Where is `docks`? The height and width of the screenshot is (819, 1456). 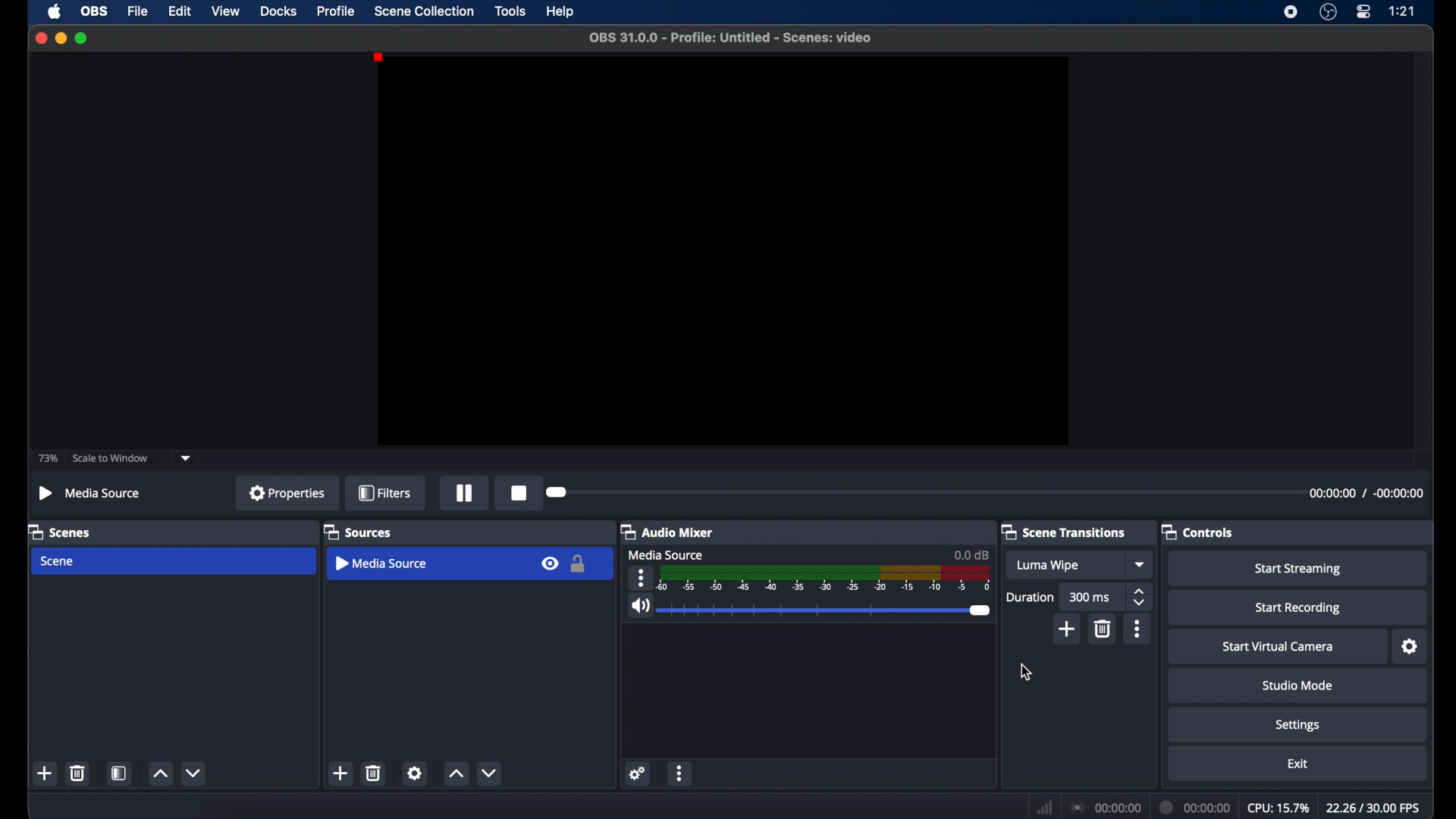 docks is located at coordinates (278, 11).